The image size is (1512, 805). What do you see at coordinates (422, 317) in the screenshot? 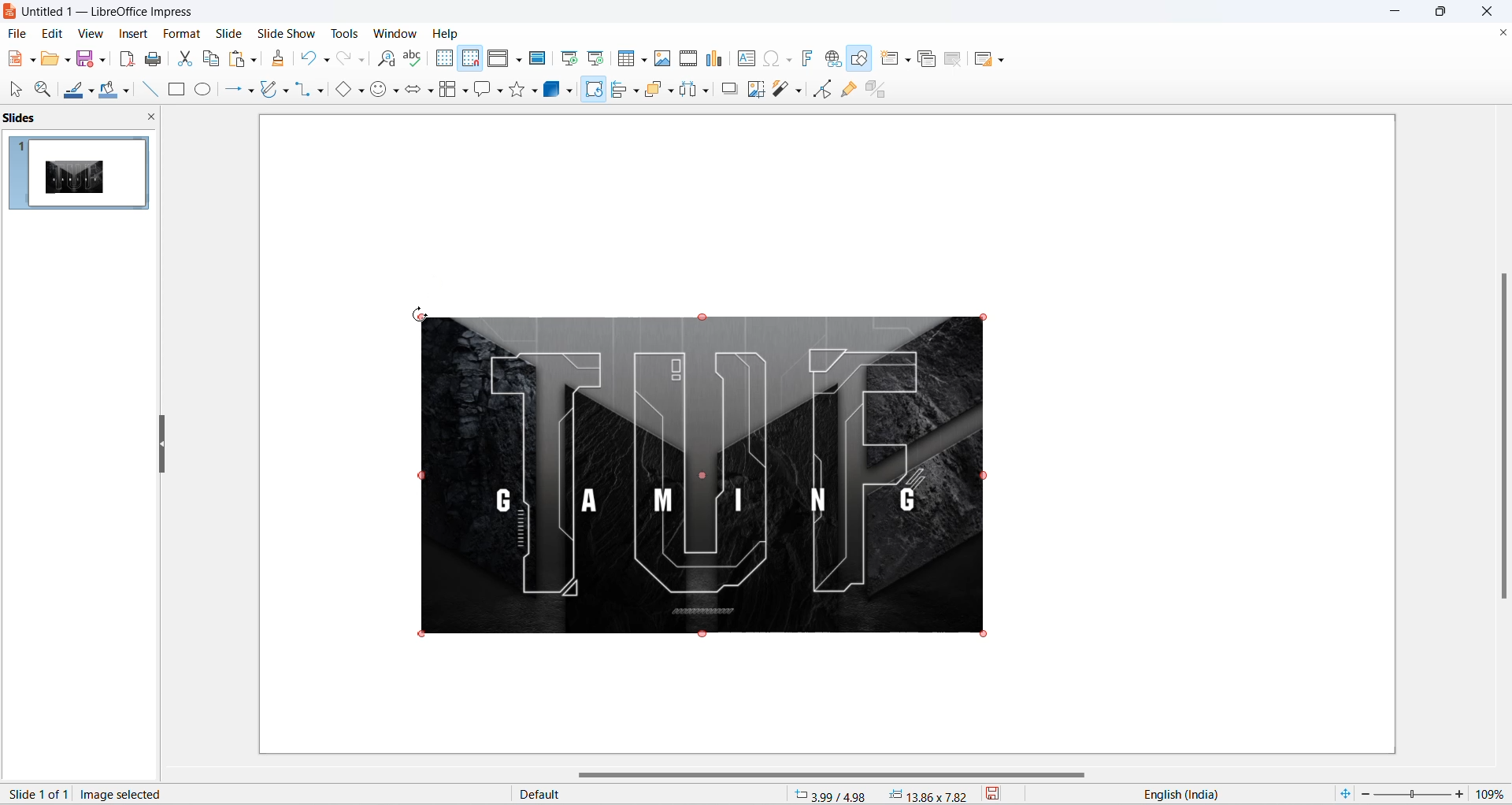
I see `image selection markup` at bounding box center [422, 317].